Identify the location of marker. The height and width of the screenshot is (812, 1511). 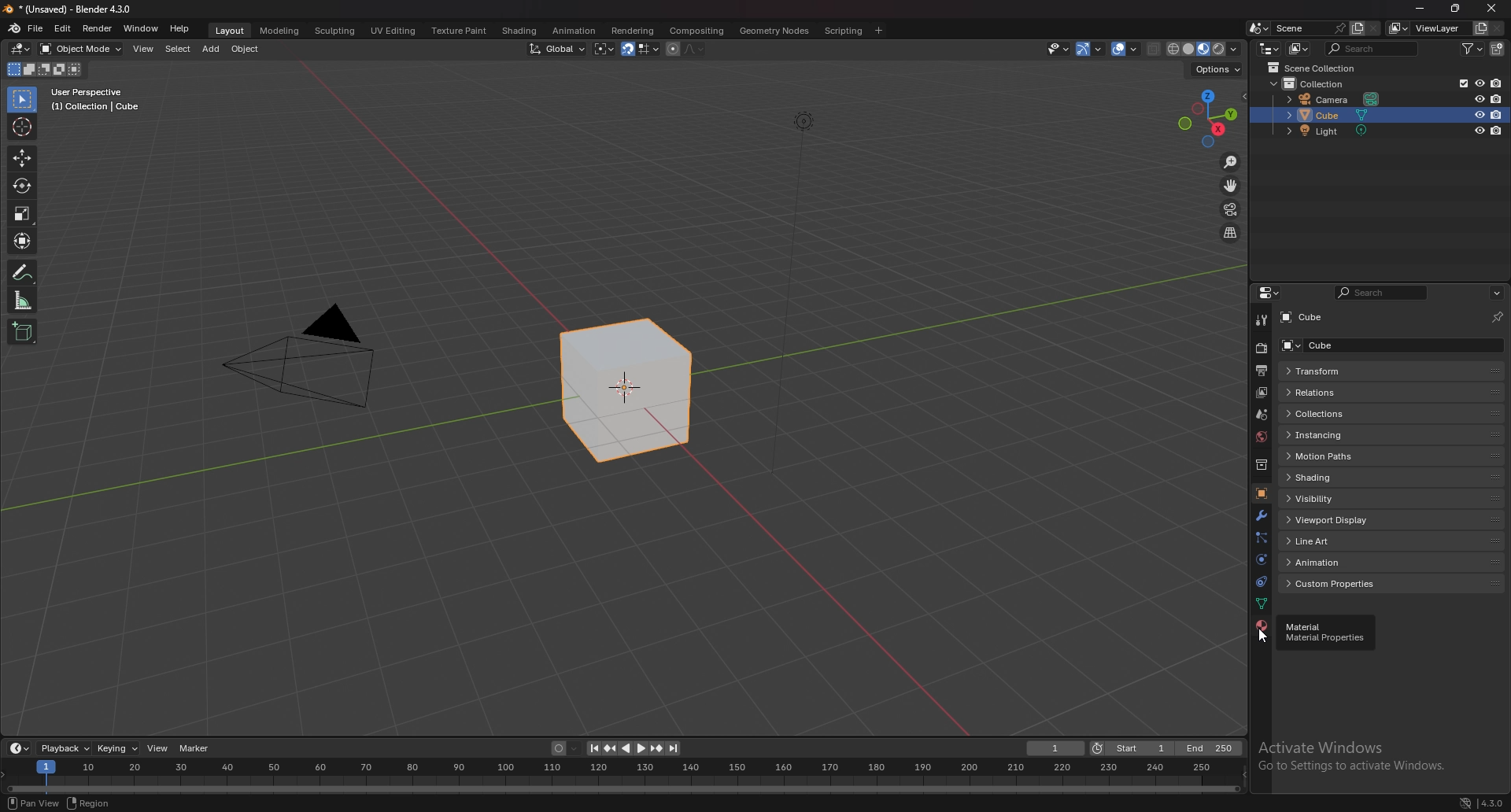
(194, 747).